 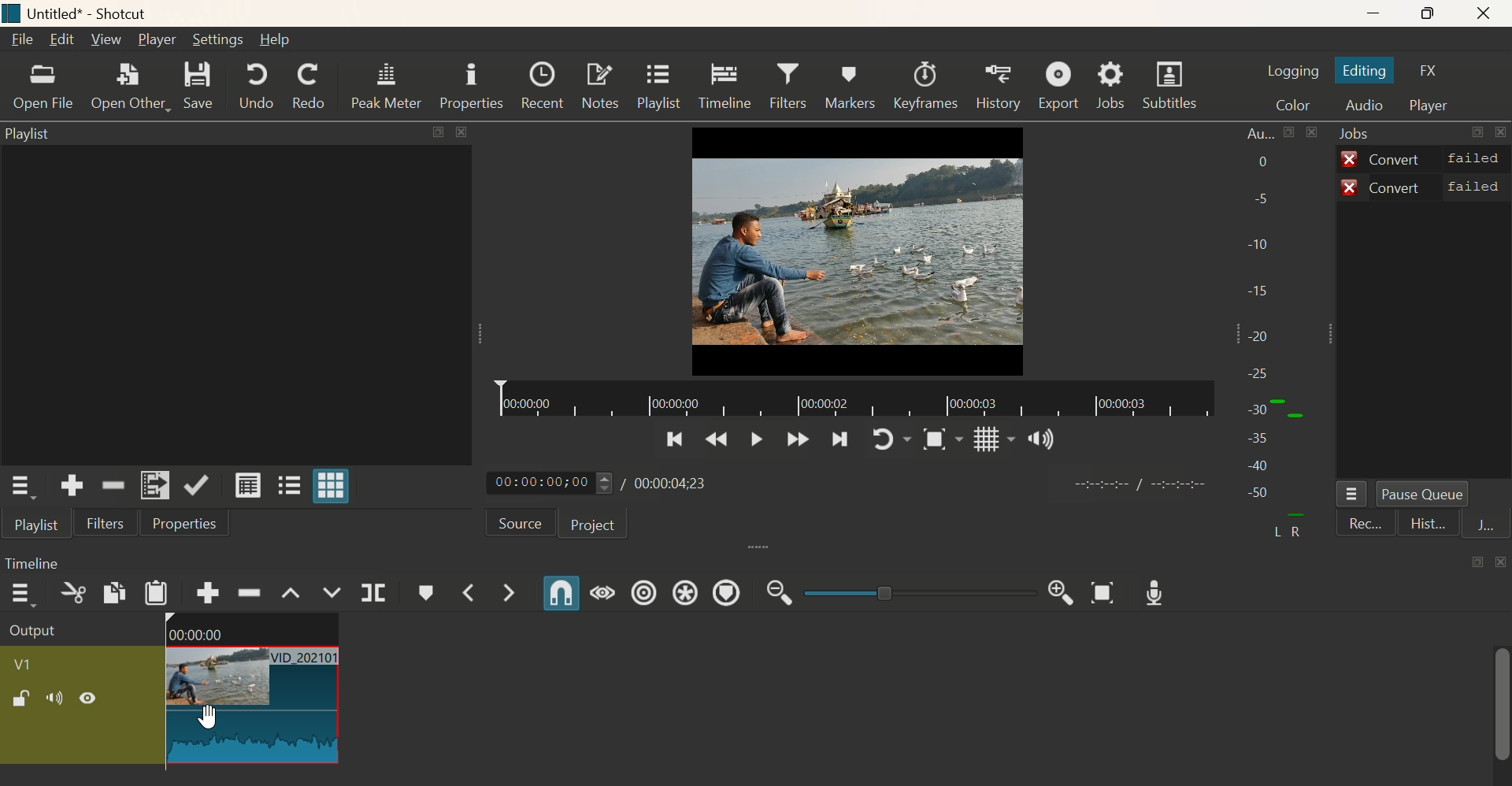 I want to click on Recent, so click(x=541, y=87).